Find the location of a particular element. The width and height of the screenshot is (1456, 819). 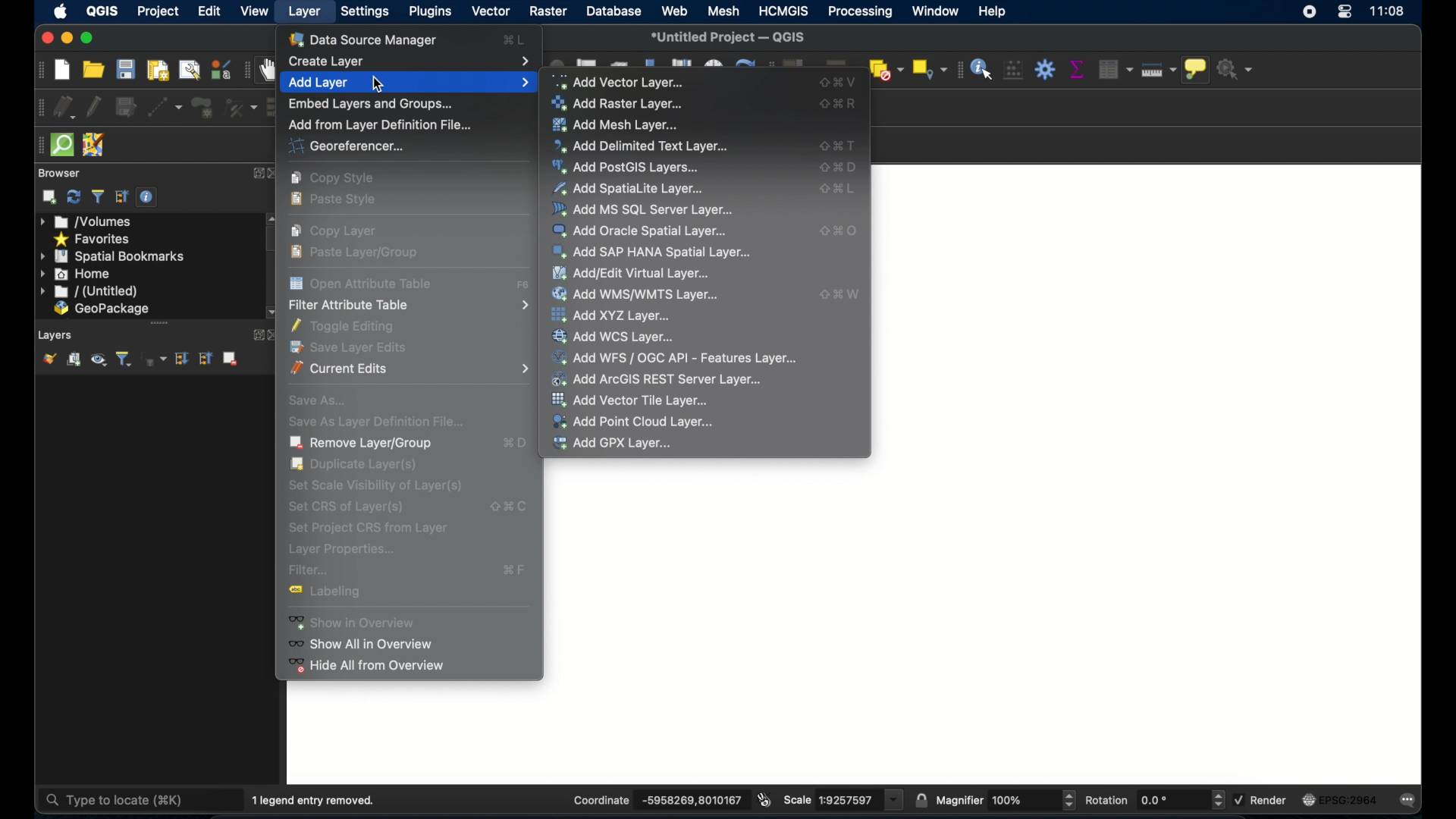

no action selected is located at coordinates (1237, 69).